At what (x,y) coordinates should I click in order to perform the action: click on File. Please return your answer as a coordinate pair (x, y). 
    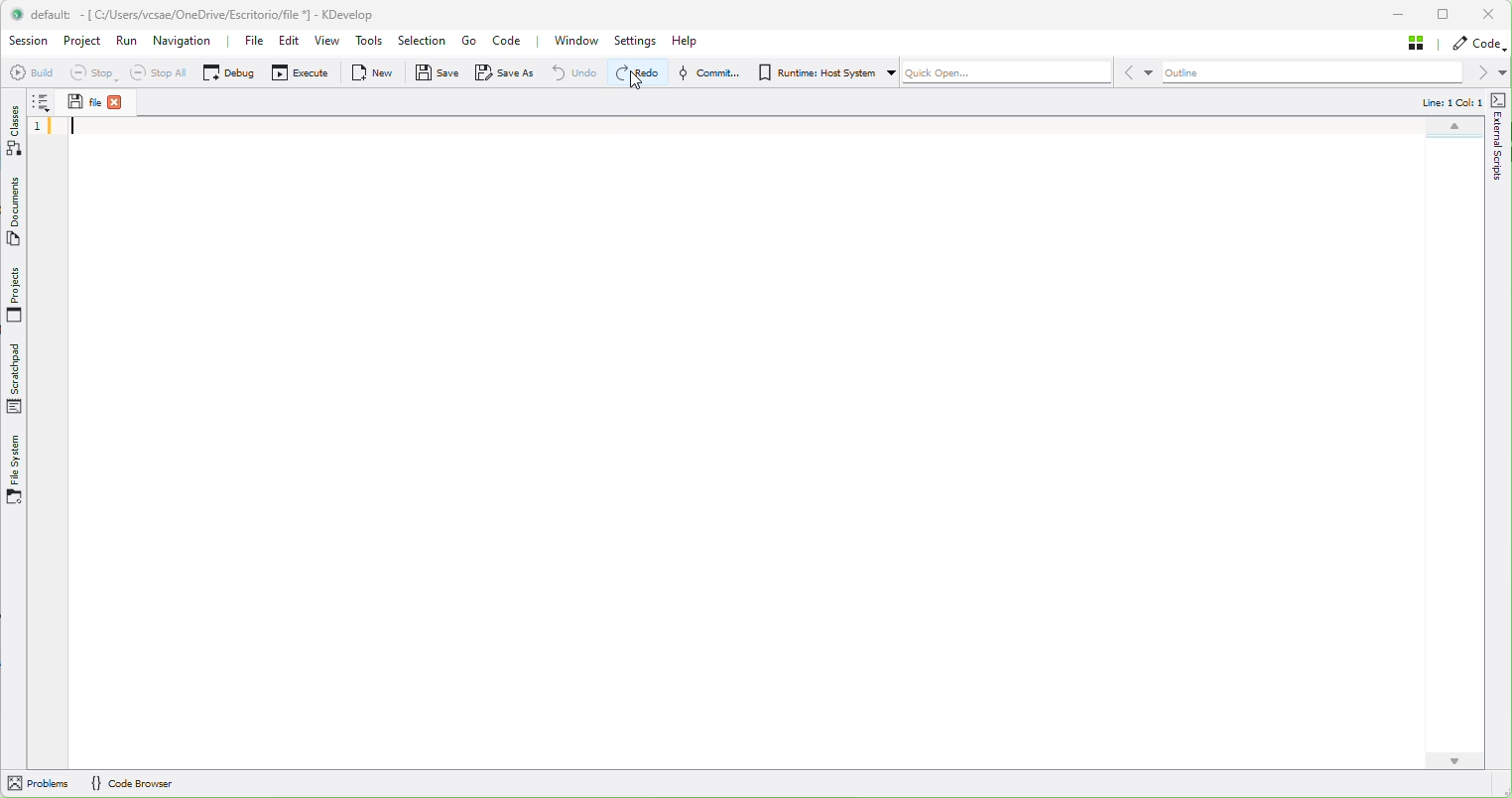
    Looking at the image, I should click on (100, 98).